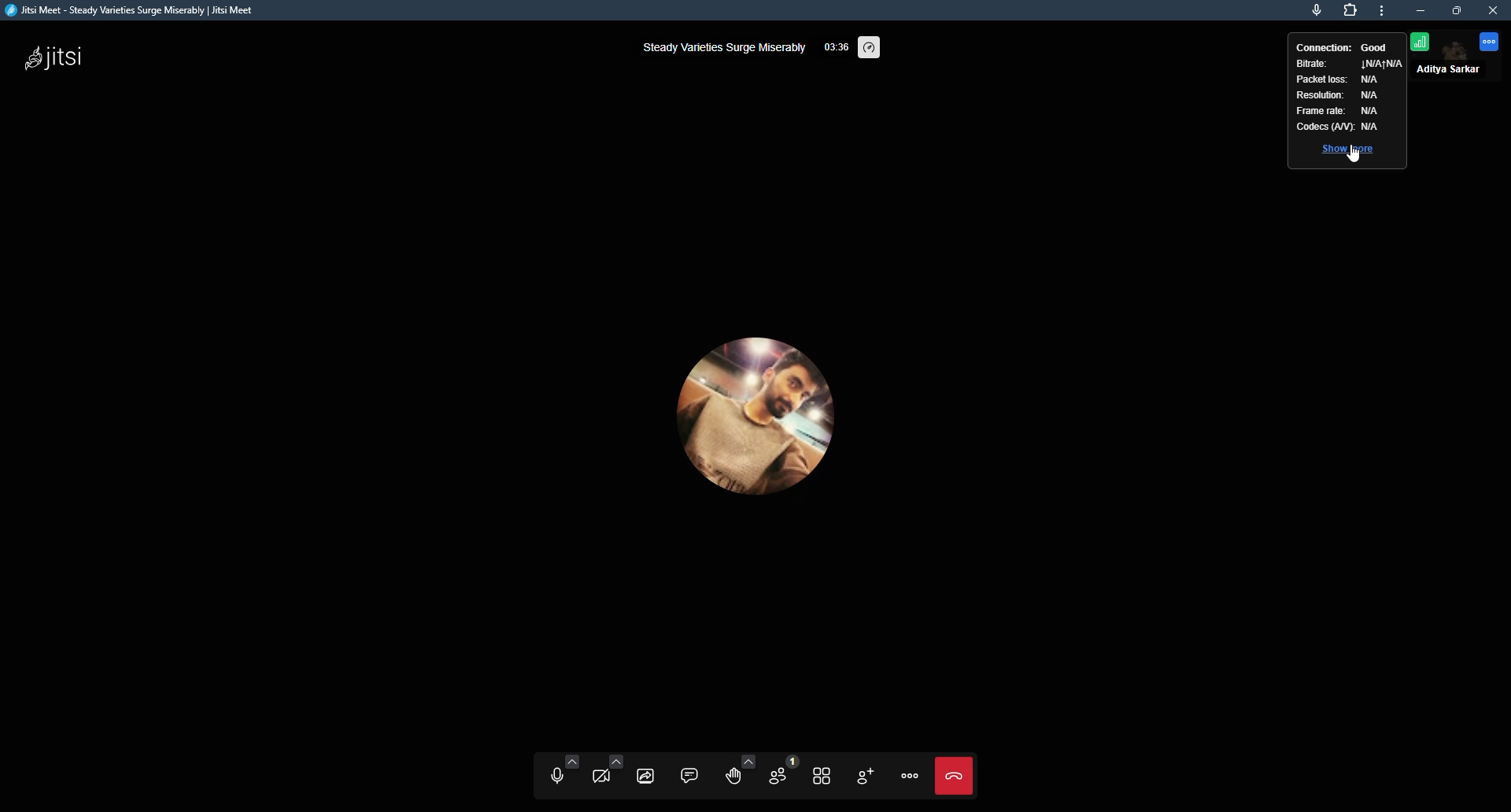 The width and height of the screenshot is (1511, 812). I want to click on na, so click(1370, 95).